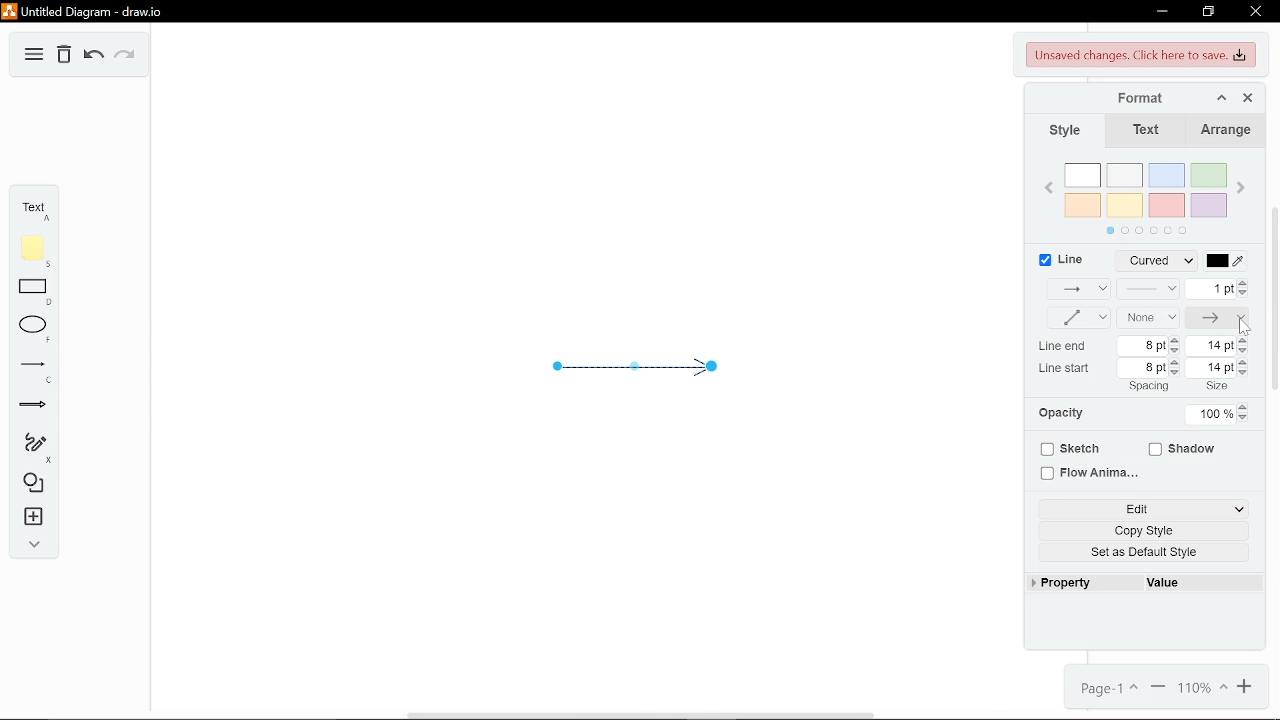 Image resolution: width=1280 pixels, height=720 pixels. What do you see at coordinates (1050, 186) in the screenshot?
I see `Previous` at bounding box center [1050, 186].